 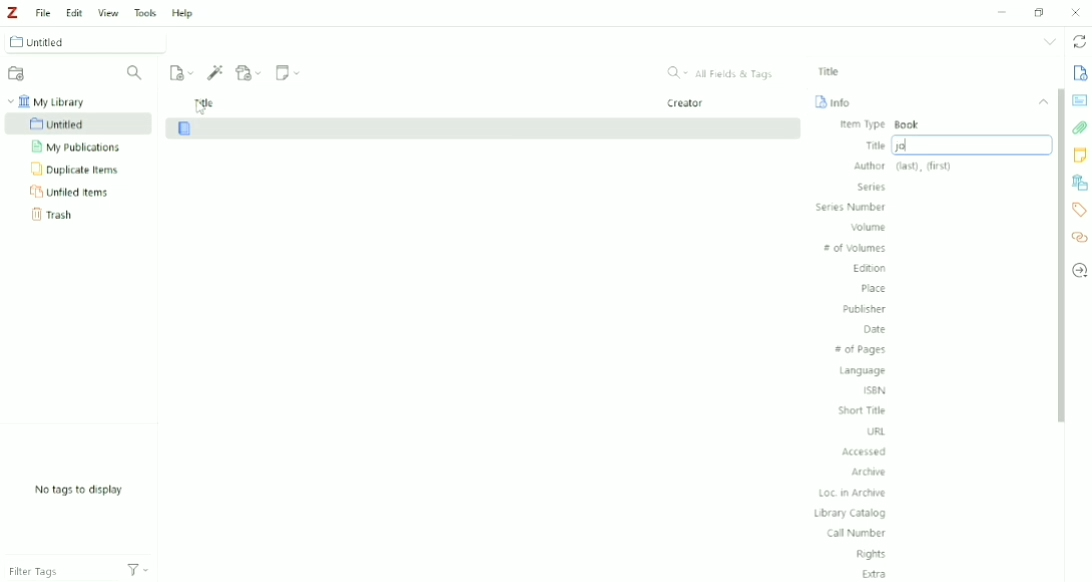 I want to click on Title, so click(x=205, y=102).